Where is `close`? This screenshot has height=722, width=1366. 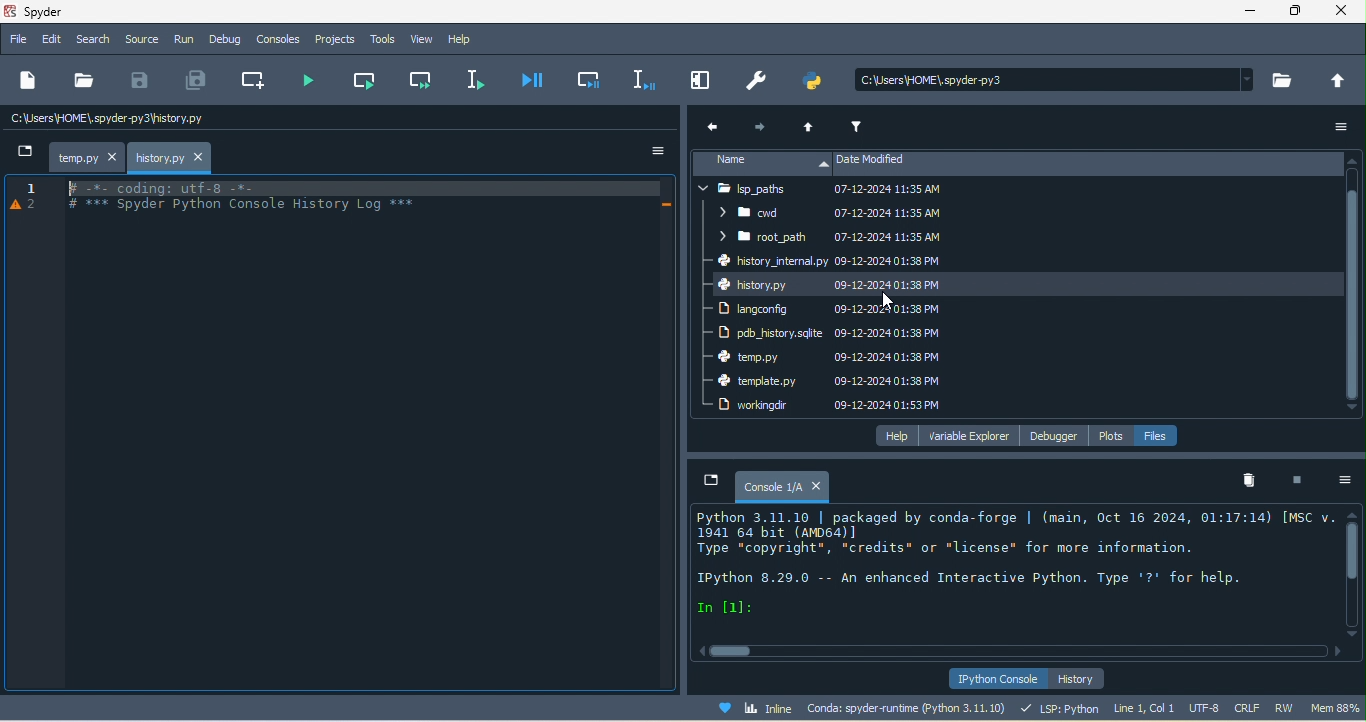
close is located at coordinates (1341, 11).